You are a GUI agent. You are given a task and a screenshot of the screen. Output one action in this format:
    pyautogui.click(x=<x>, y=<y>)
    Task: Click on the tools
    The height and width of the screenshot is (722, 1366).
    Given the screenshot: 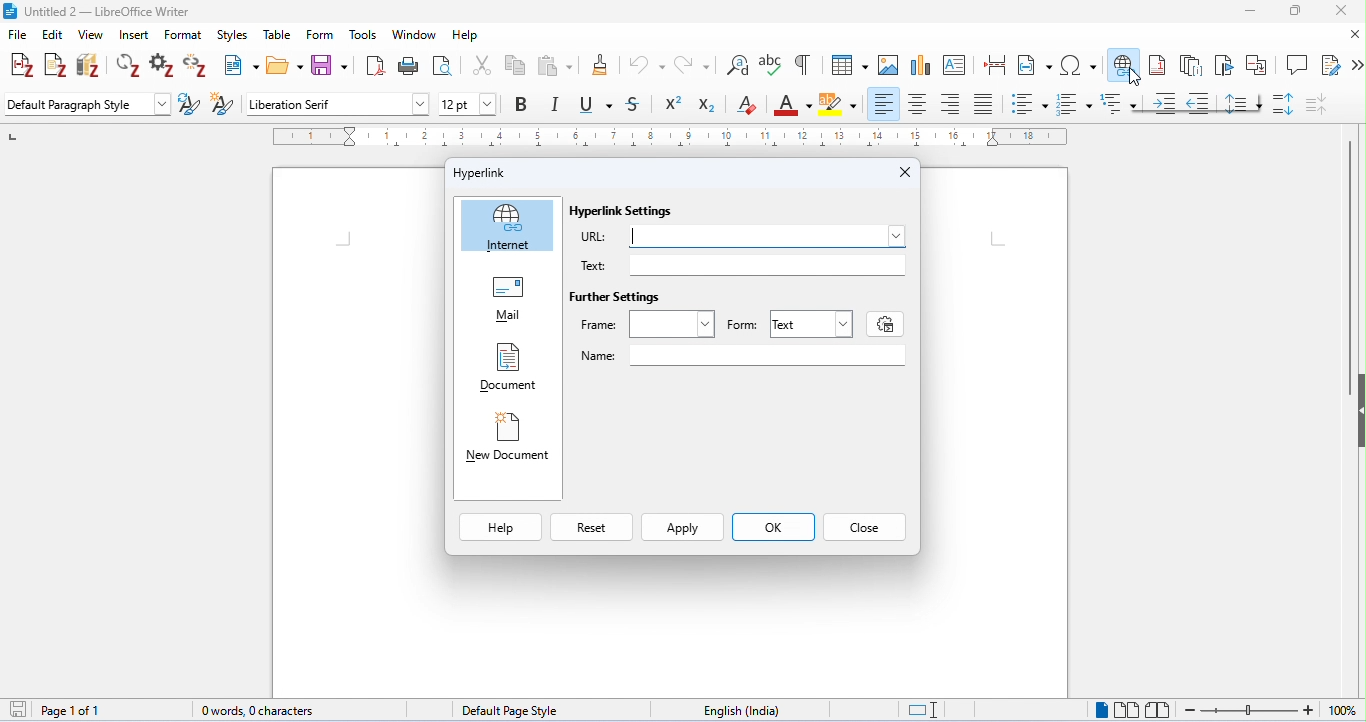 What is the action you would take?
    pyautogui.click(x=364, y=34)
    